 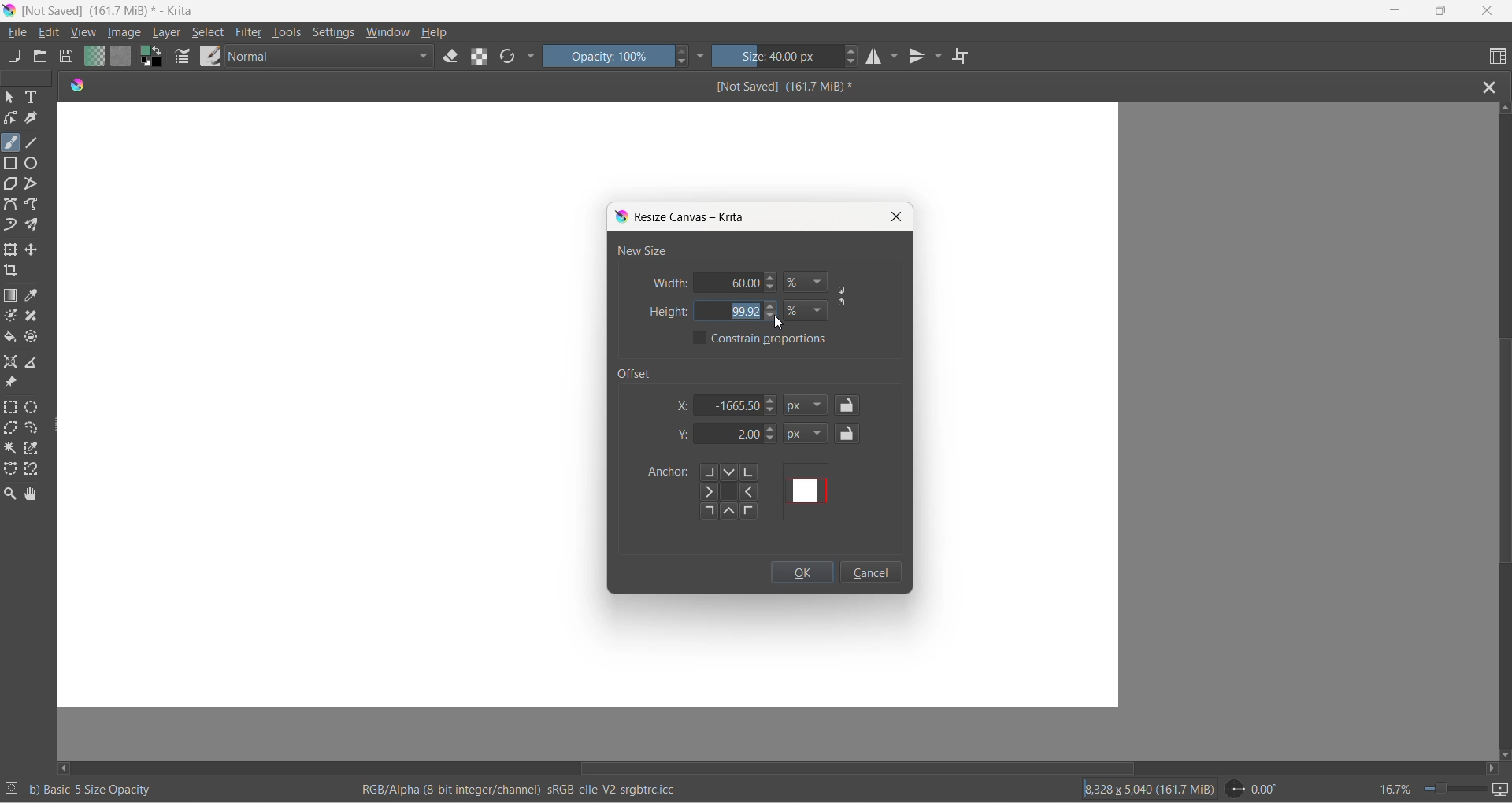 I want to click on resize canvas dialog box, so click(x=684, y=217).